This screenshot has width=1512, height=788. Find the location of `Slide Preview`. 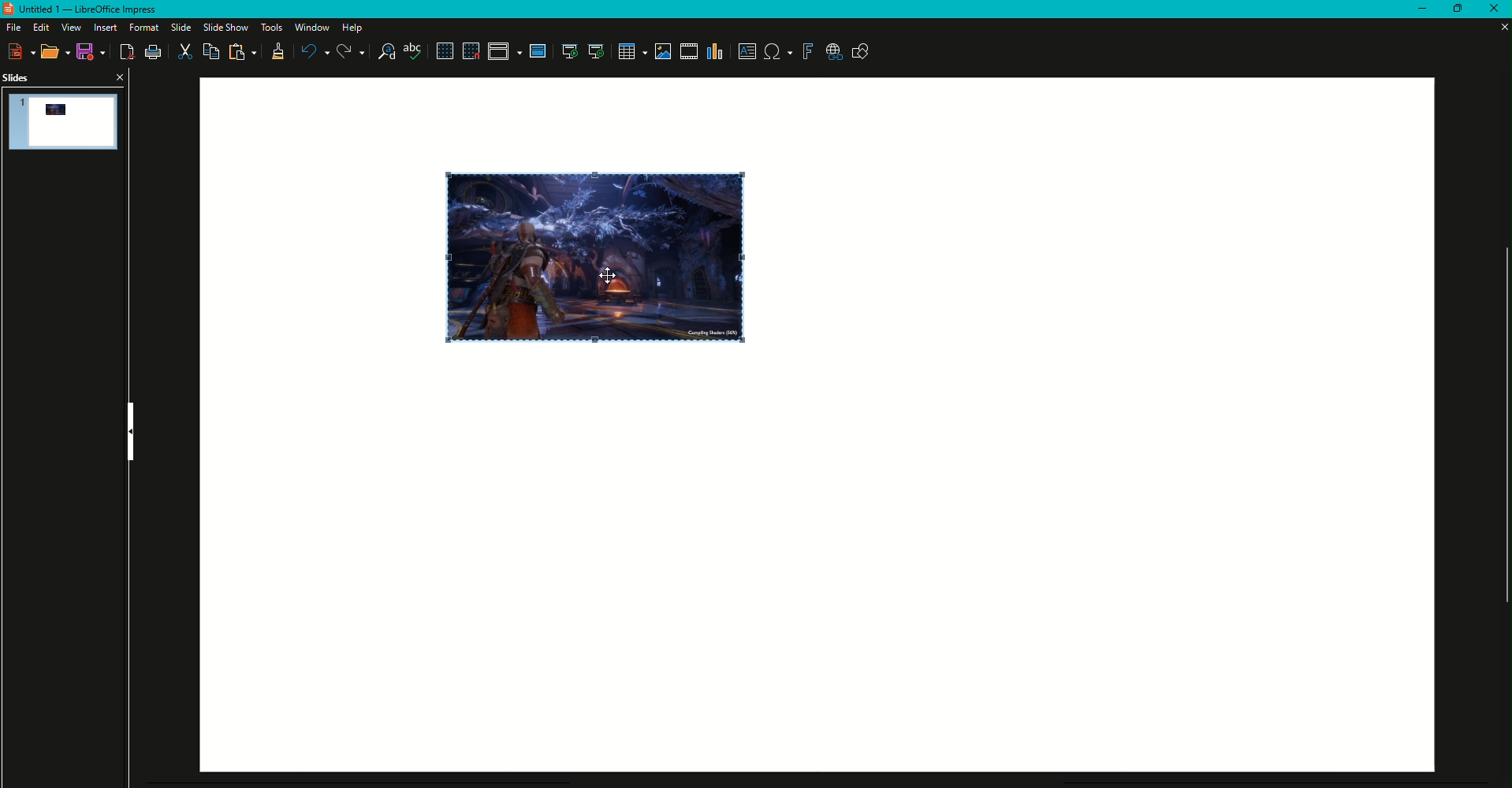

Slide Preview is located at coordinates (65, 121).